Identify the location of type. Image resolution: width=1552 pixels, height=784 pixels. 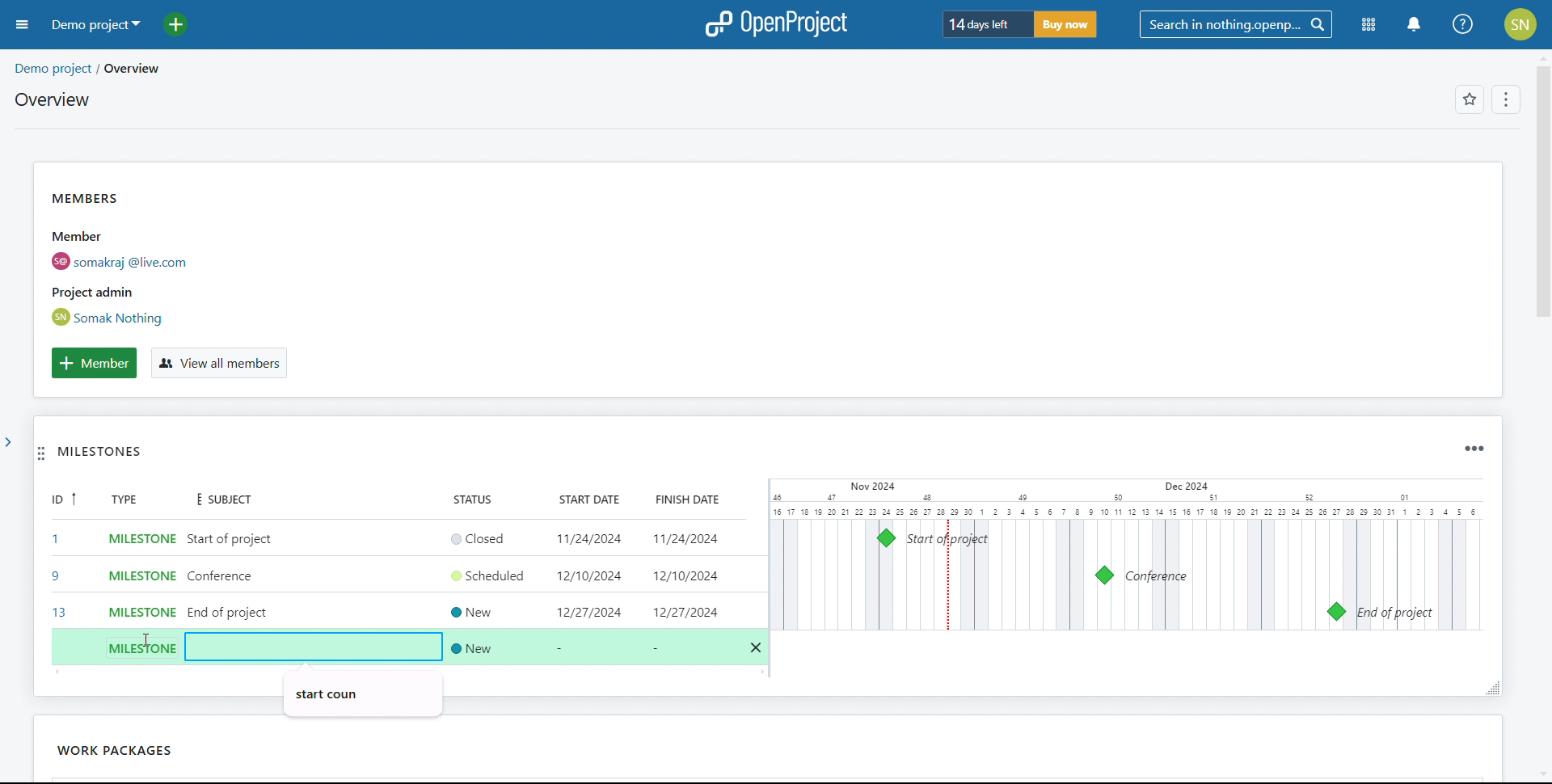
(134, 501).